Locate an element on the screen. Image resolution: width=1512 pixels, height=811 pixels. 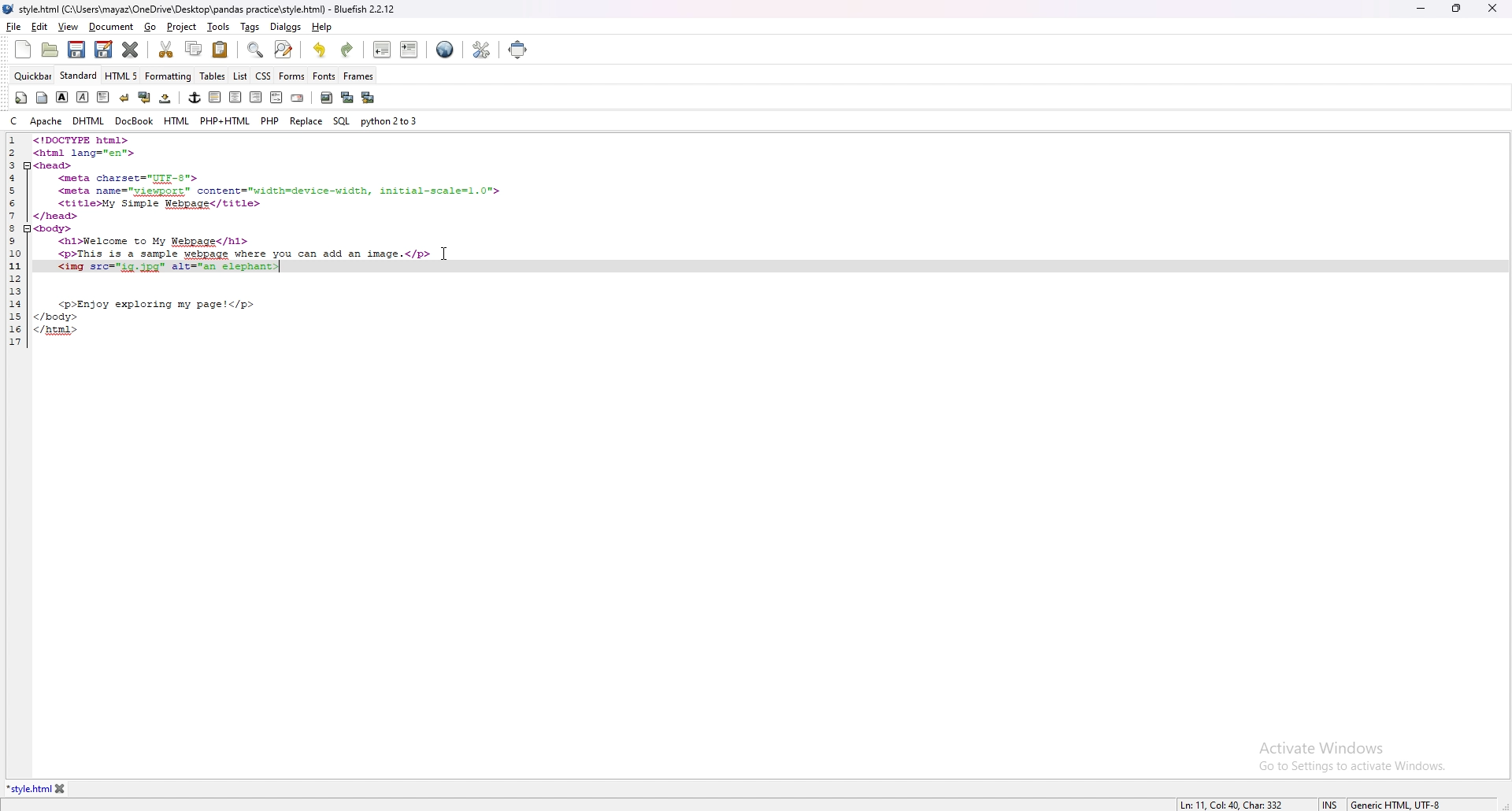
Go to Settings to activate Windows. is located at coordinates (1352, 765).